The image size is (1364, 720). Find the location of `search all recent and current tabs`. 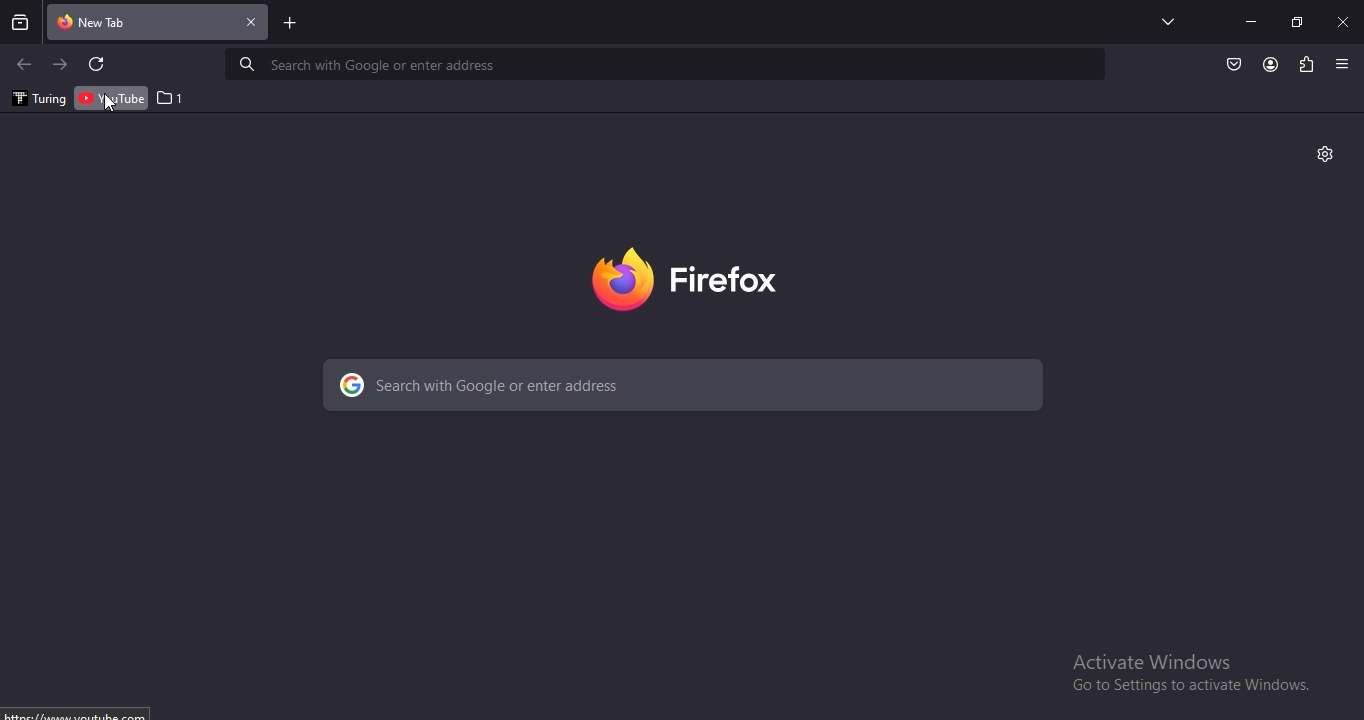

search all recent and current tabs is located at coordinates (22, 24).